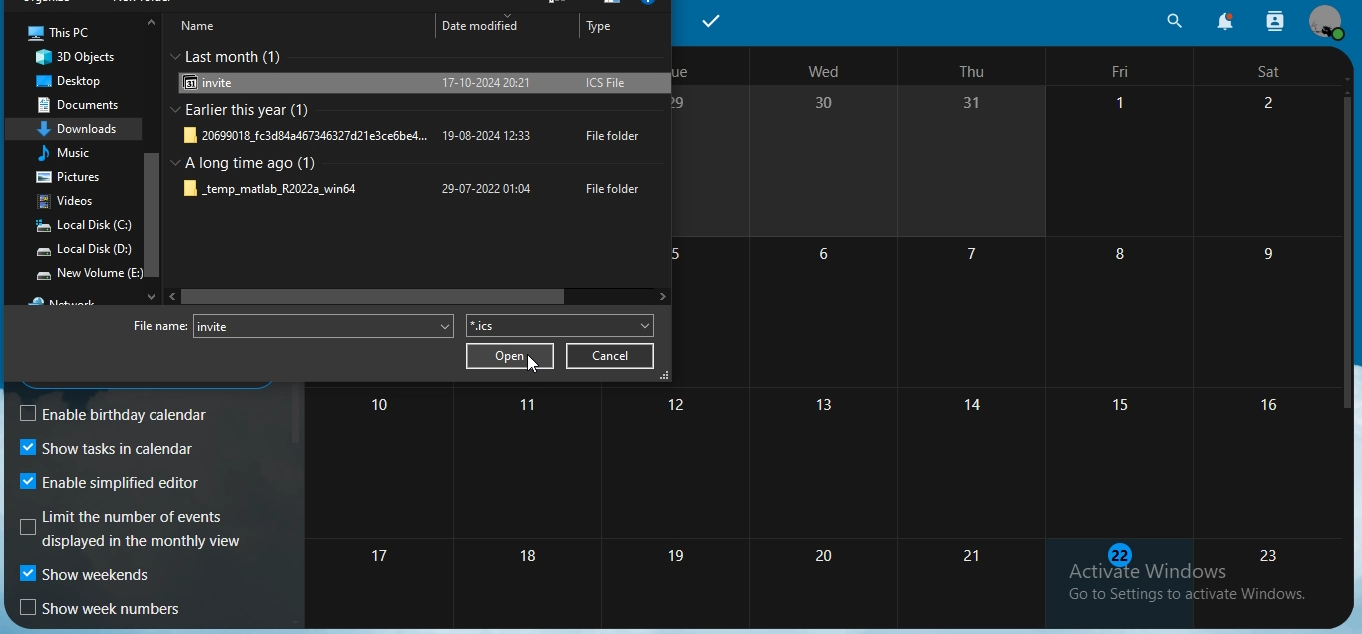 This screenshot has width=1362, height=634. What do you see at coordinates (103, 609) in the screenshot?
I see `show week numbers` at bounding box center [103, 609].